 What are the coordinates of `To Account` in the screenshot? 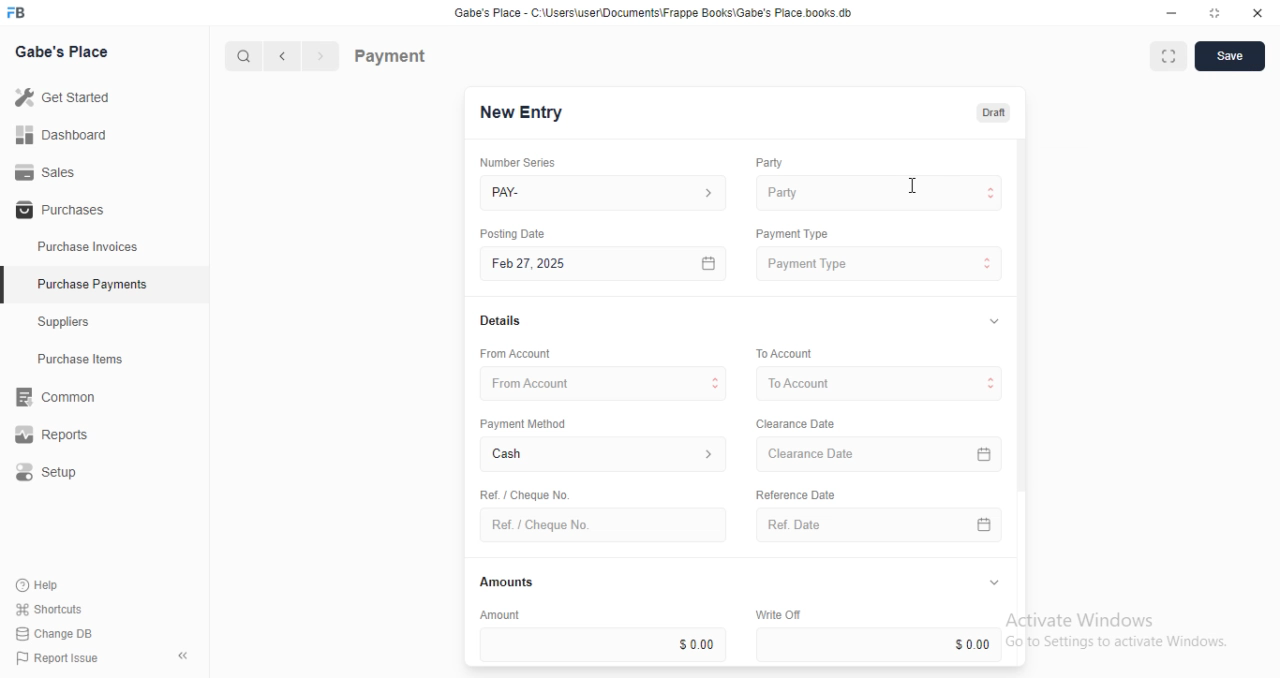 It's located at (882, 383).